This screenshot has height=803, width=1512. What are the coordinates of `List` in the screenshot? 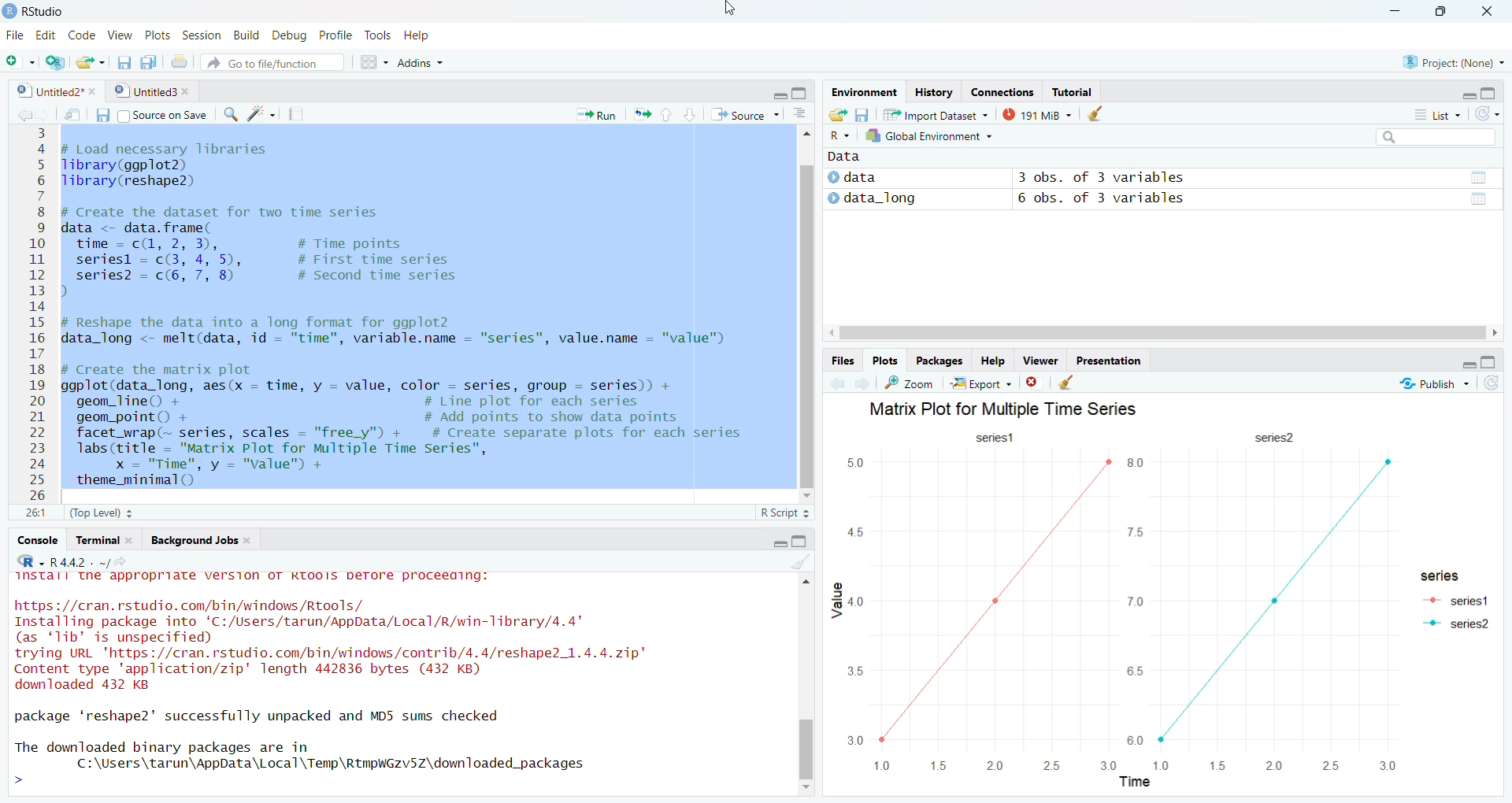 It's located at (1440, 115).